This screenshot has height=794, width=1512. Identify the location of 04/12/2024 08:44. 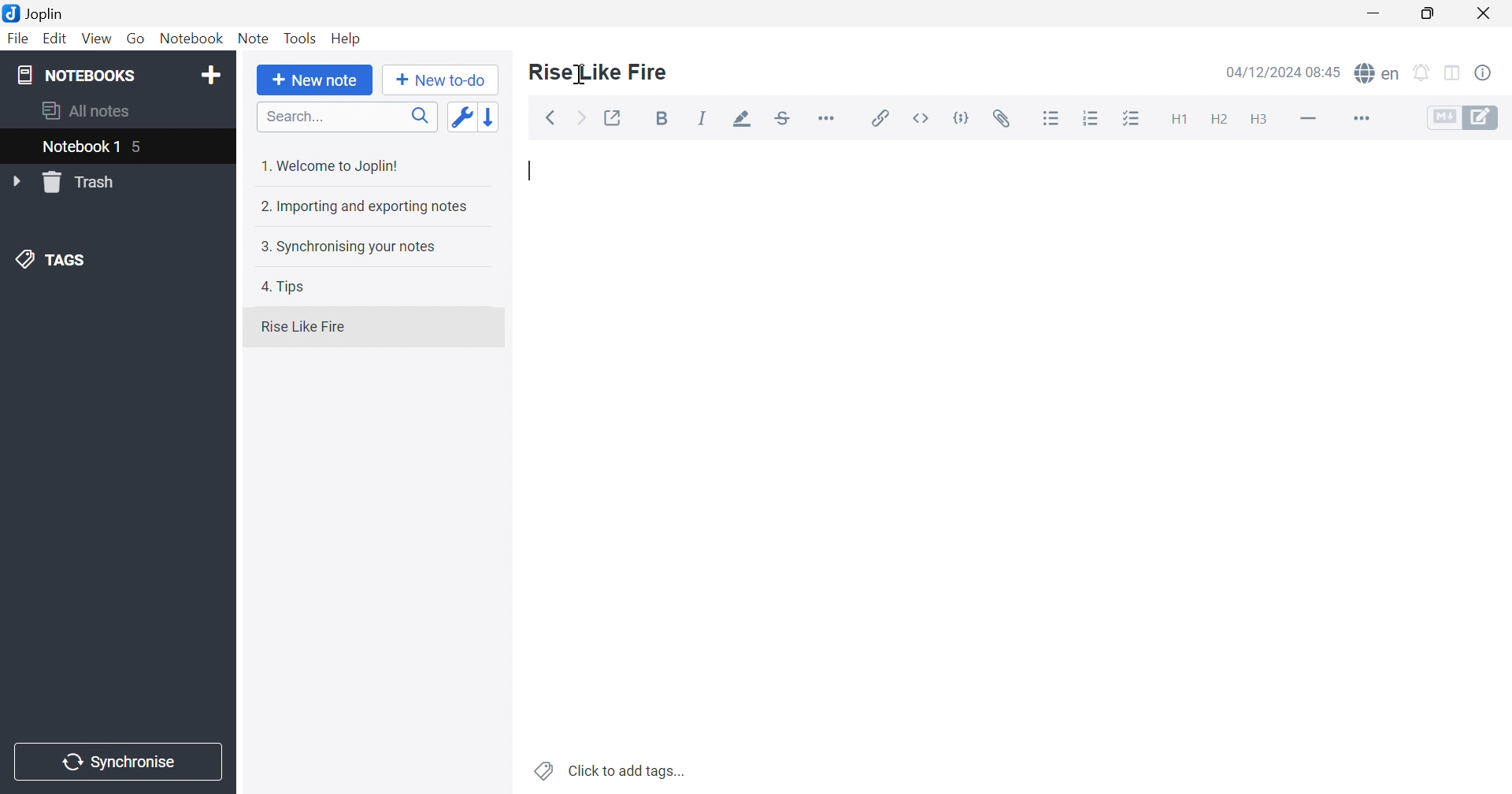
(1281, 72).